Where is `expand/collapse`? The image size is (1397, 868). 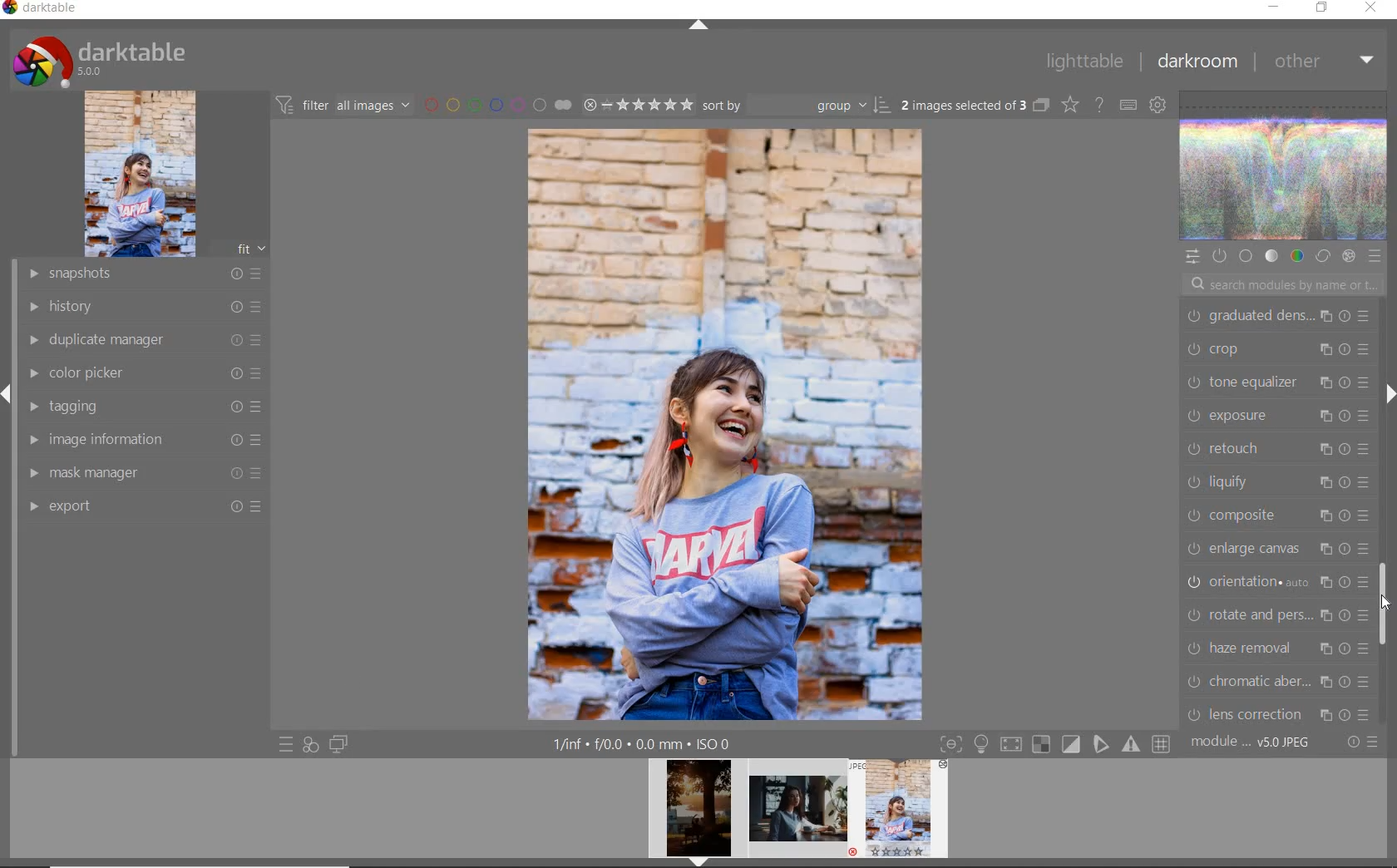 expand/collapse is located at coordinates (698, 27).